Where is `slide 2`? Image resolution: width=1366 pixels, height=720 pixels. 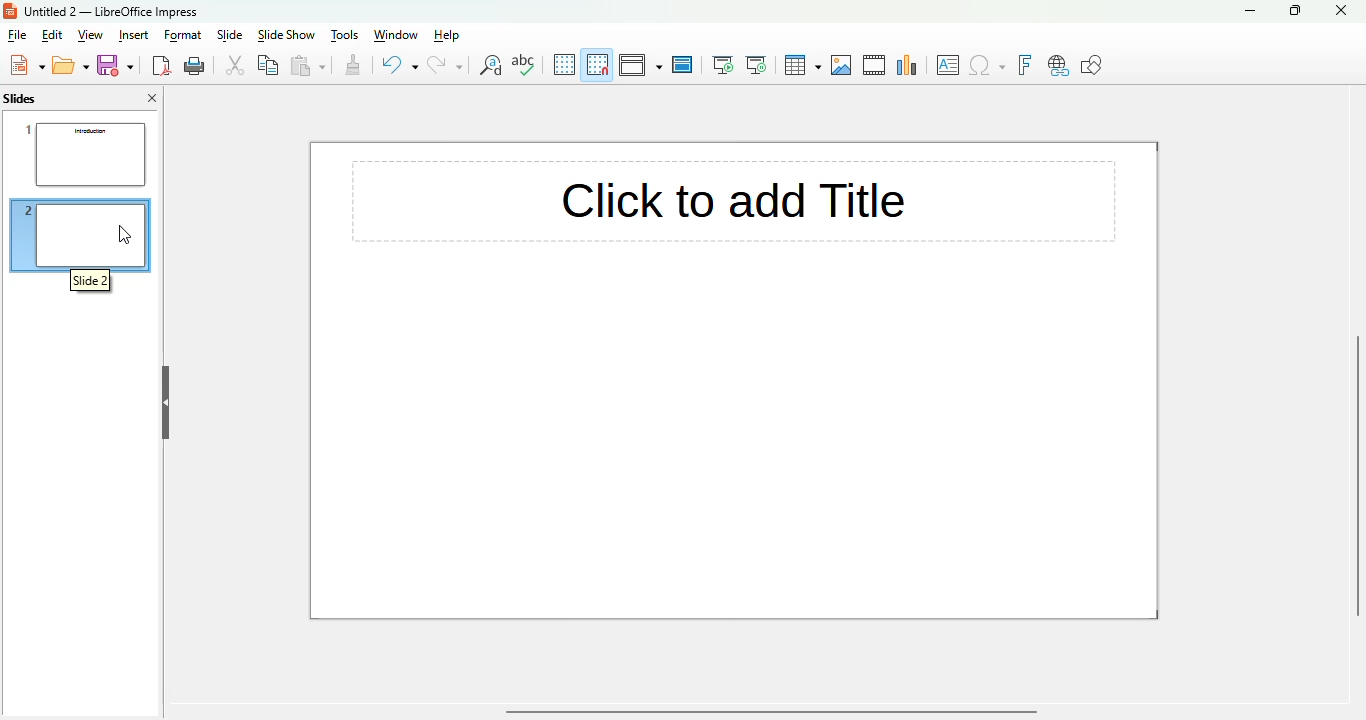 slide 2 is located at coordinates (92, 281).